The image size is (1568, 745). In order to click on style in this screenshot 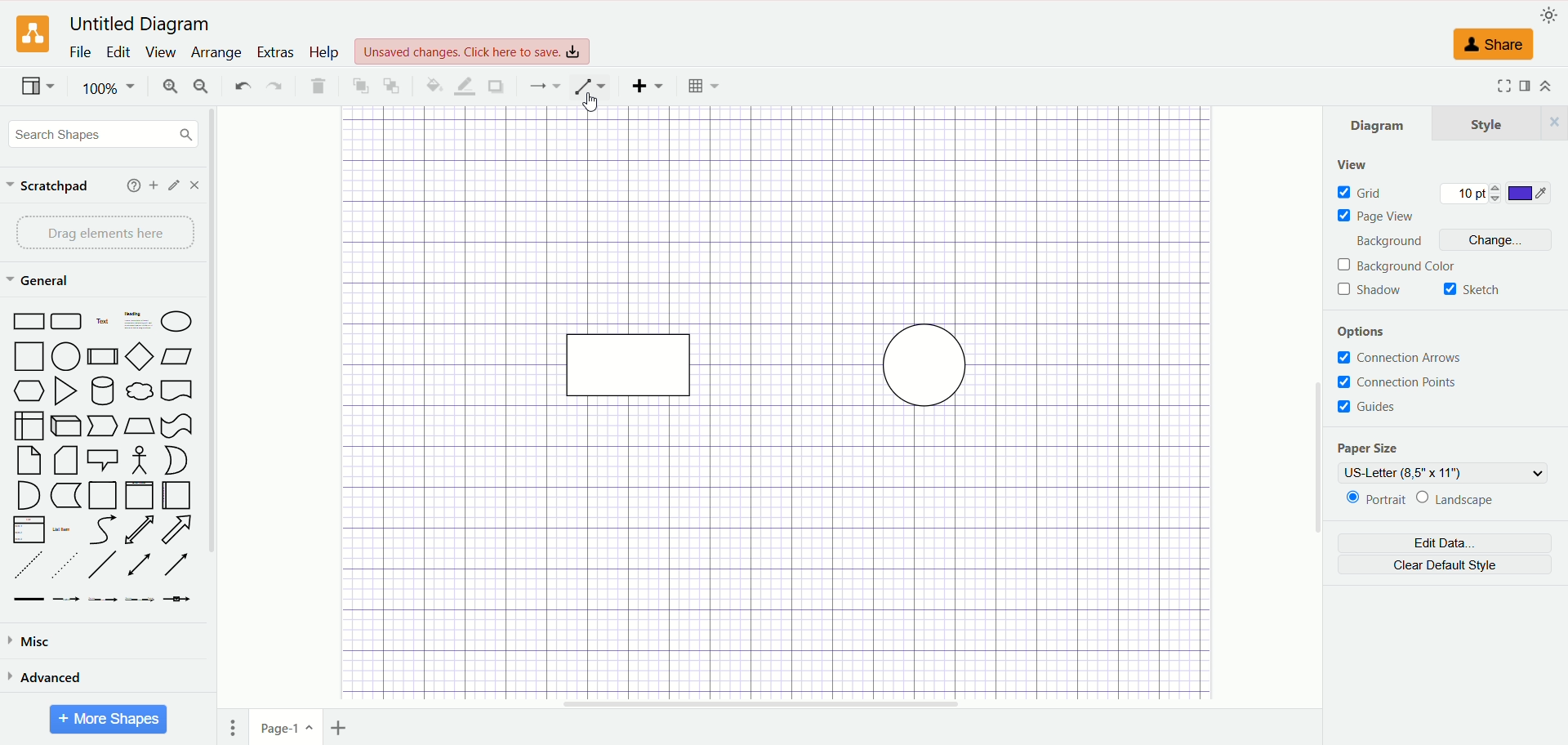, I will do `click(1500, 123)`.